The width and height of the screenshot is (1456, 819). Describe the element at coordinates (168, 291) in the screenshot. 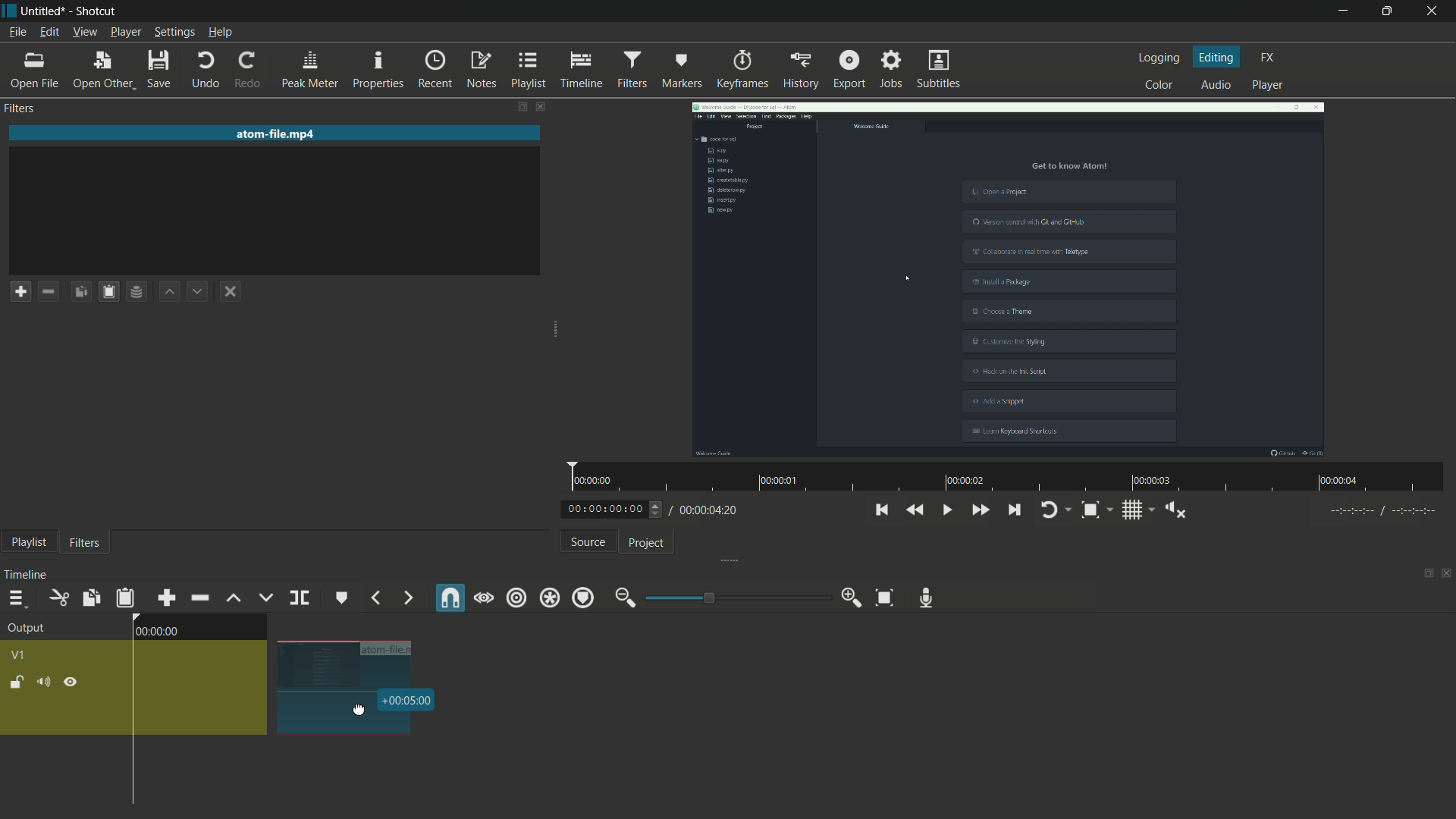

I see `move filter up` at that location.